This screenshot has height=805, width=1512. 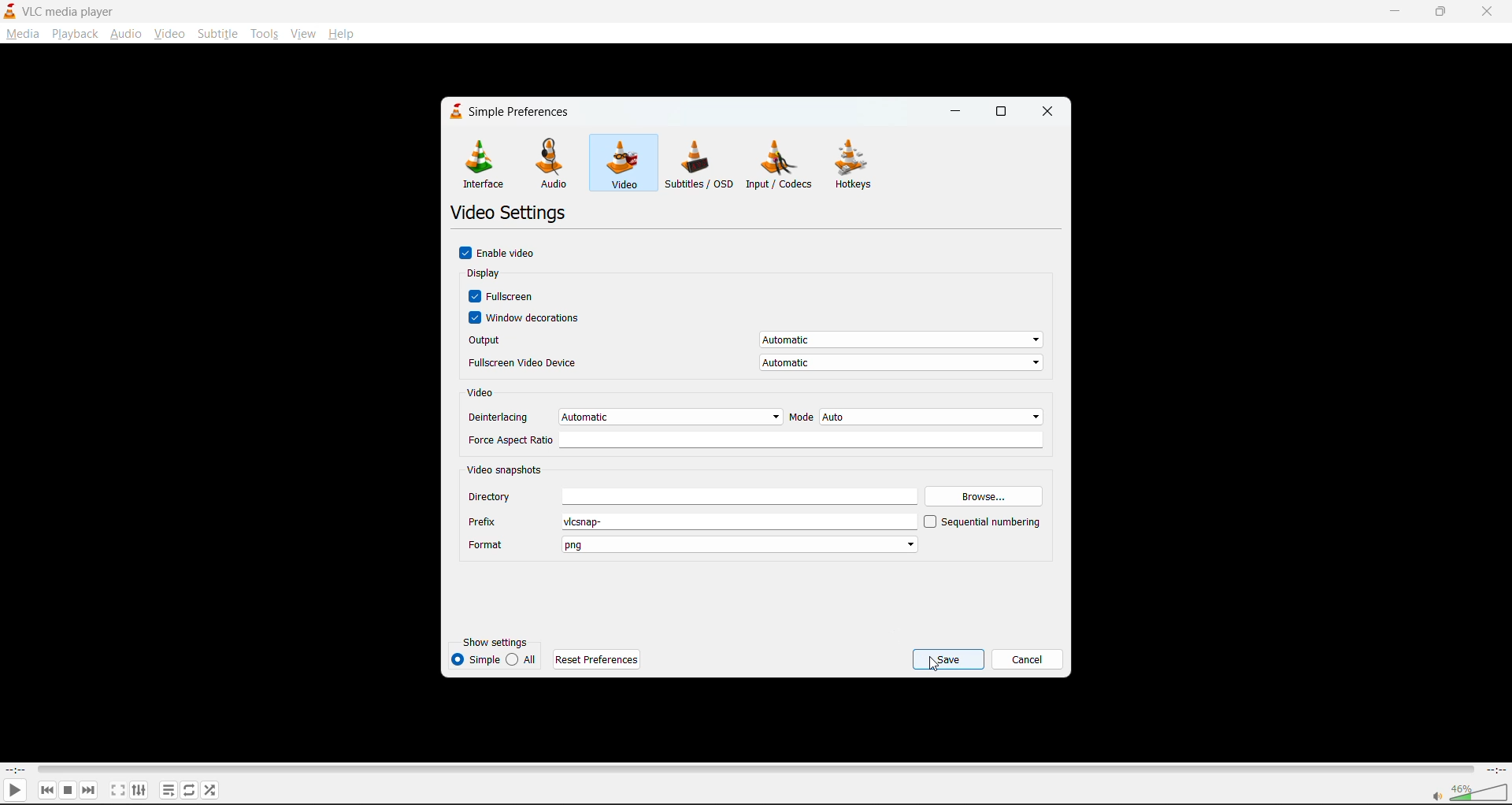 What do you see at coordinates (984, 521) in the screenshot?
I see `sequential numbering` at bounding box center [984, 521].